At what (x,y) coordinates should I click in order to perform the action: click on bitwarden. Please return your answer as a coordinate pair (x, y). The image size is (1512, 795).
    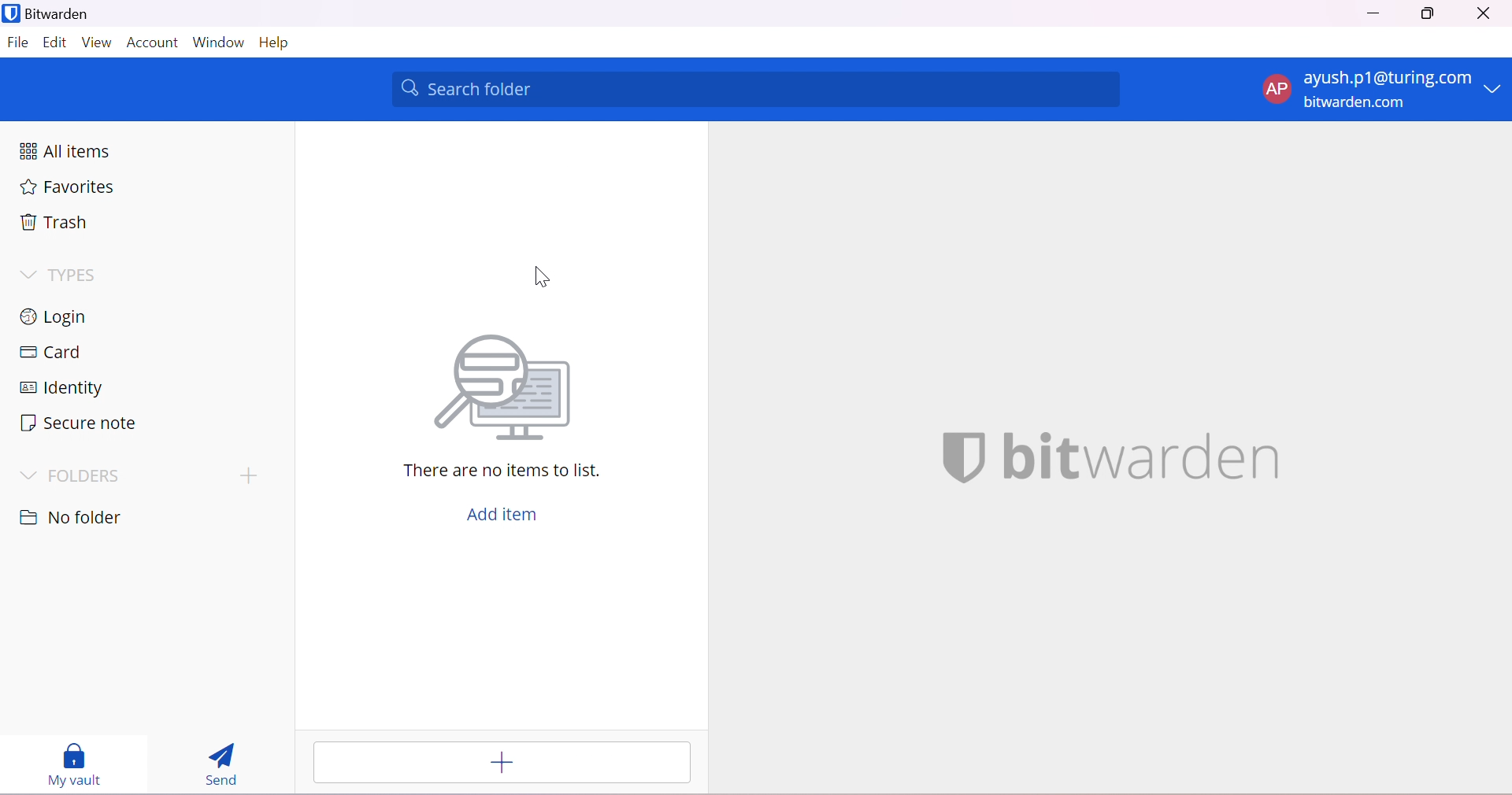
    Looking at the image, I should click on (1142, 457).